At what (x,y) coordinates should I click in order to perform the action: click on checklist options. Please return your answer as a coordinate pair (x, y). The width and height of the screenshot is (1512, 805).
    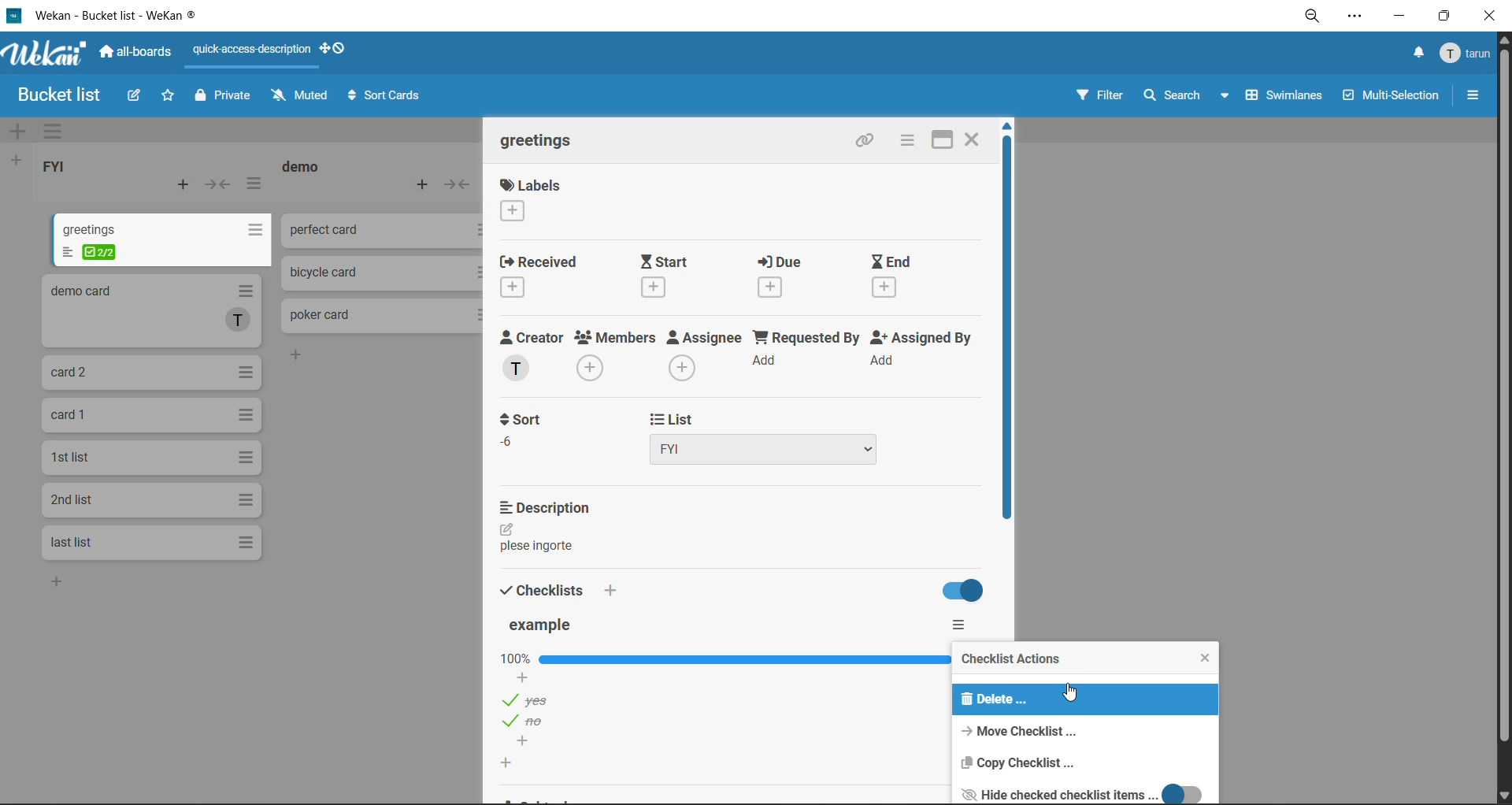
    Looking at the image, I should click on (537, 698).